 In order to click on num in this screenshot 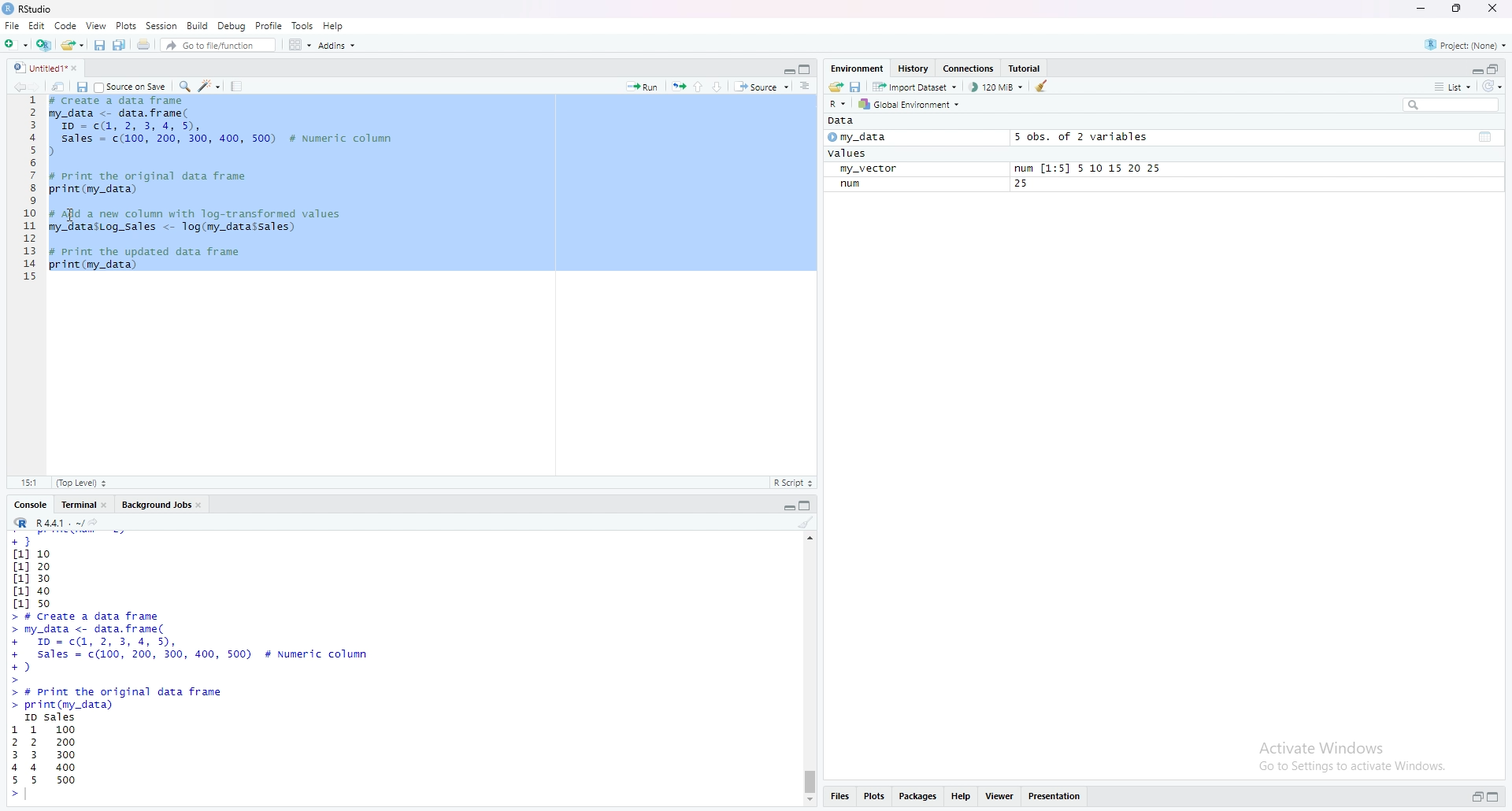, I will do `click(853, 185)`.